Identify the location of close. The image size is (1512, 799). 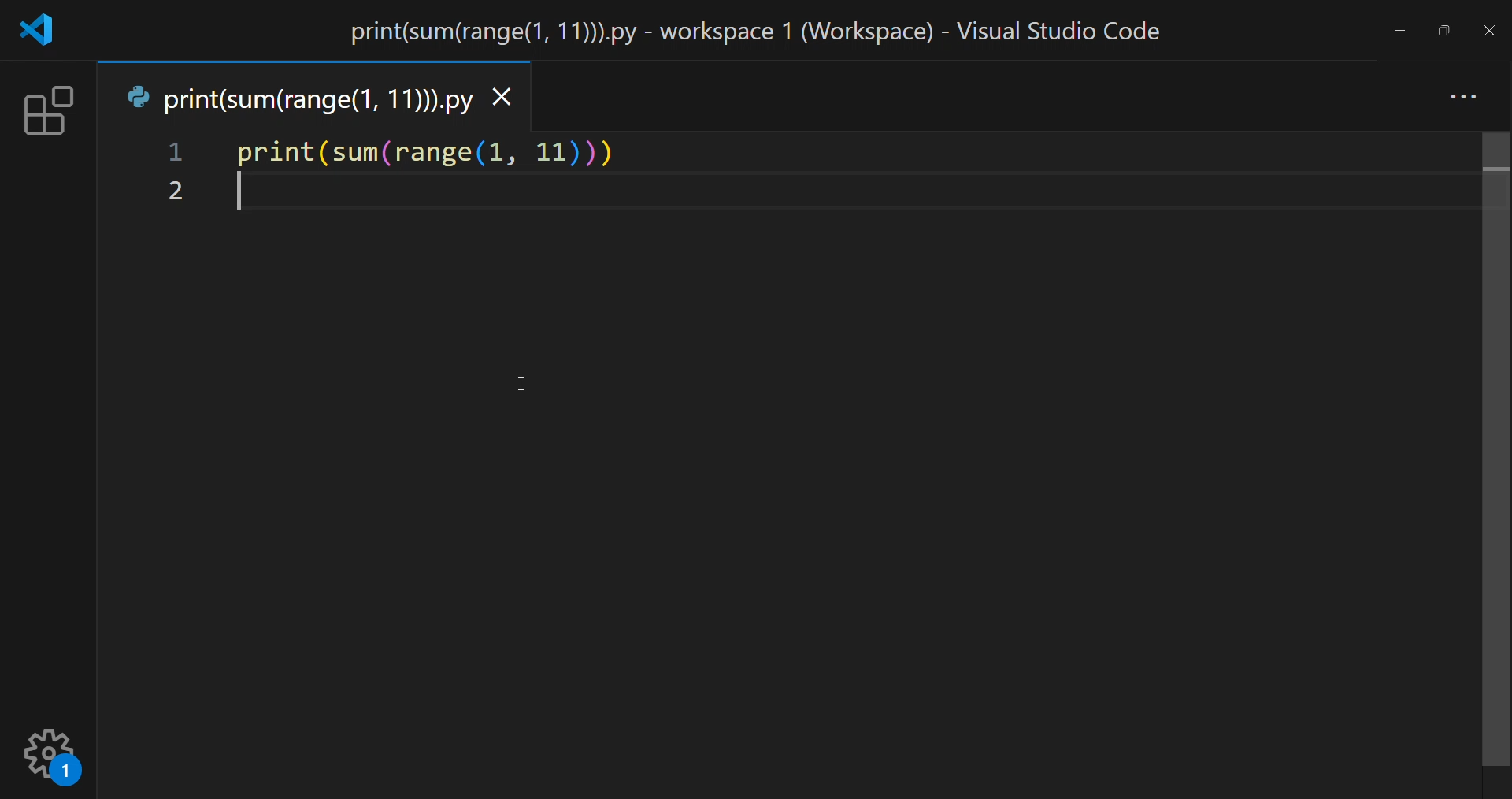
(1488, 30).